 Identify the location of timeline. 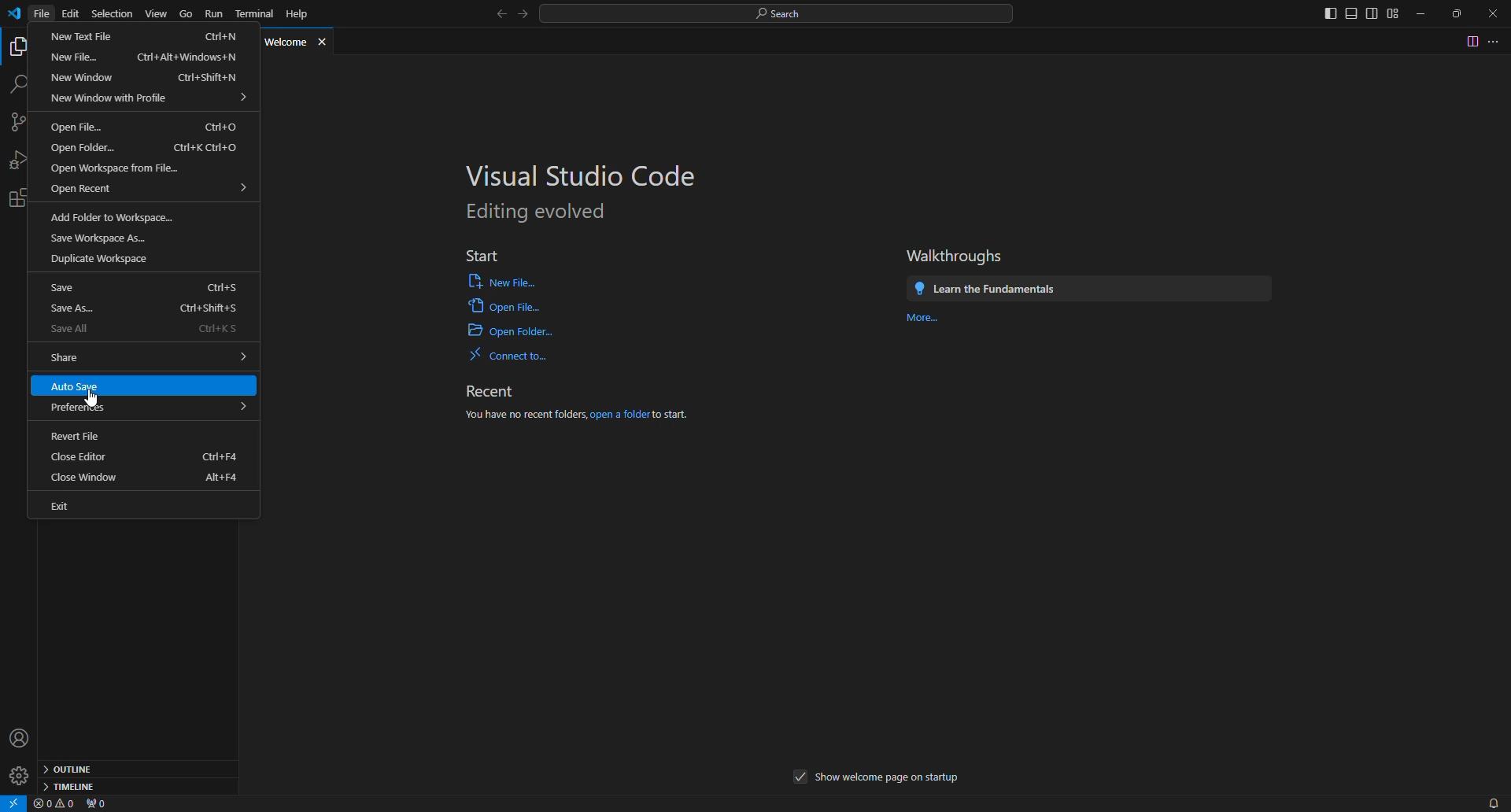
(71, 786).